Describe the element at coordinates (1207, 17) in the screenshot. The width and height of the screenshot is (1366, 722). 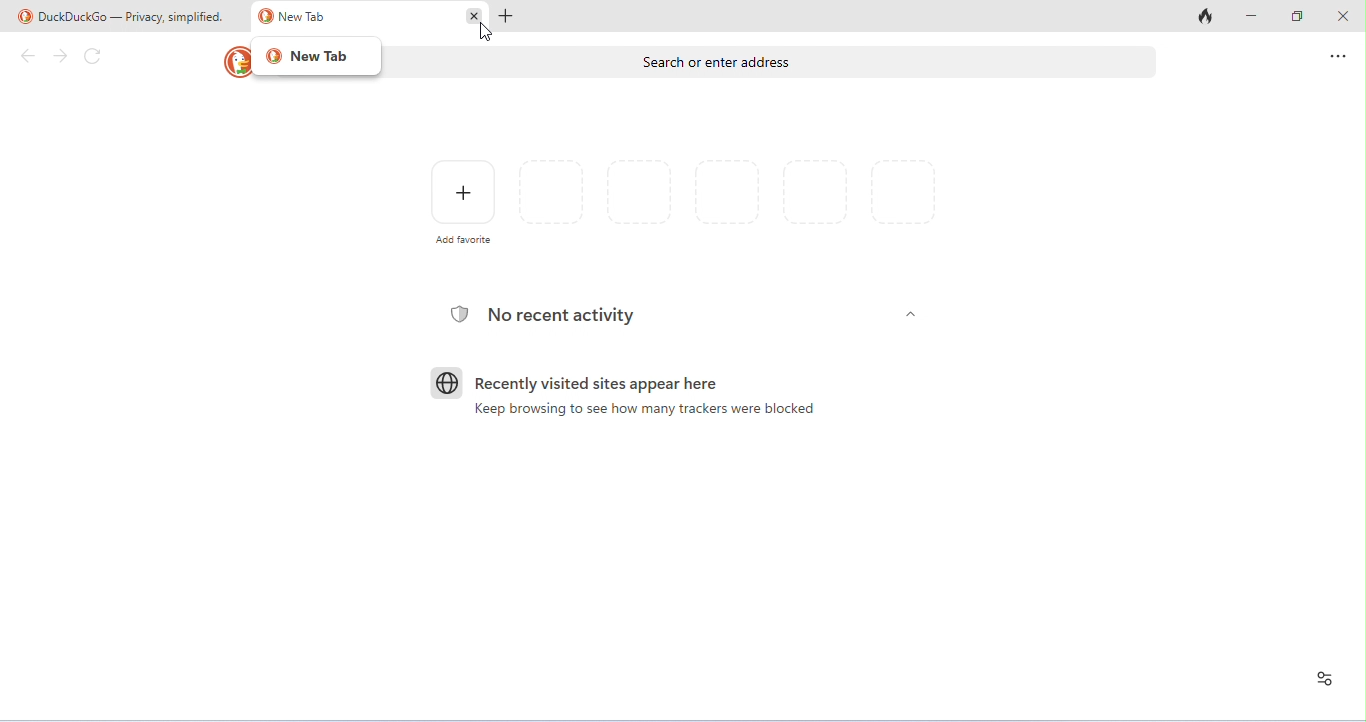
I see `Close tabs and clear data` at that location.